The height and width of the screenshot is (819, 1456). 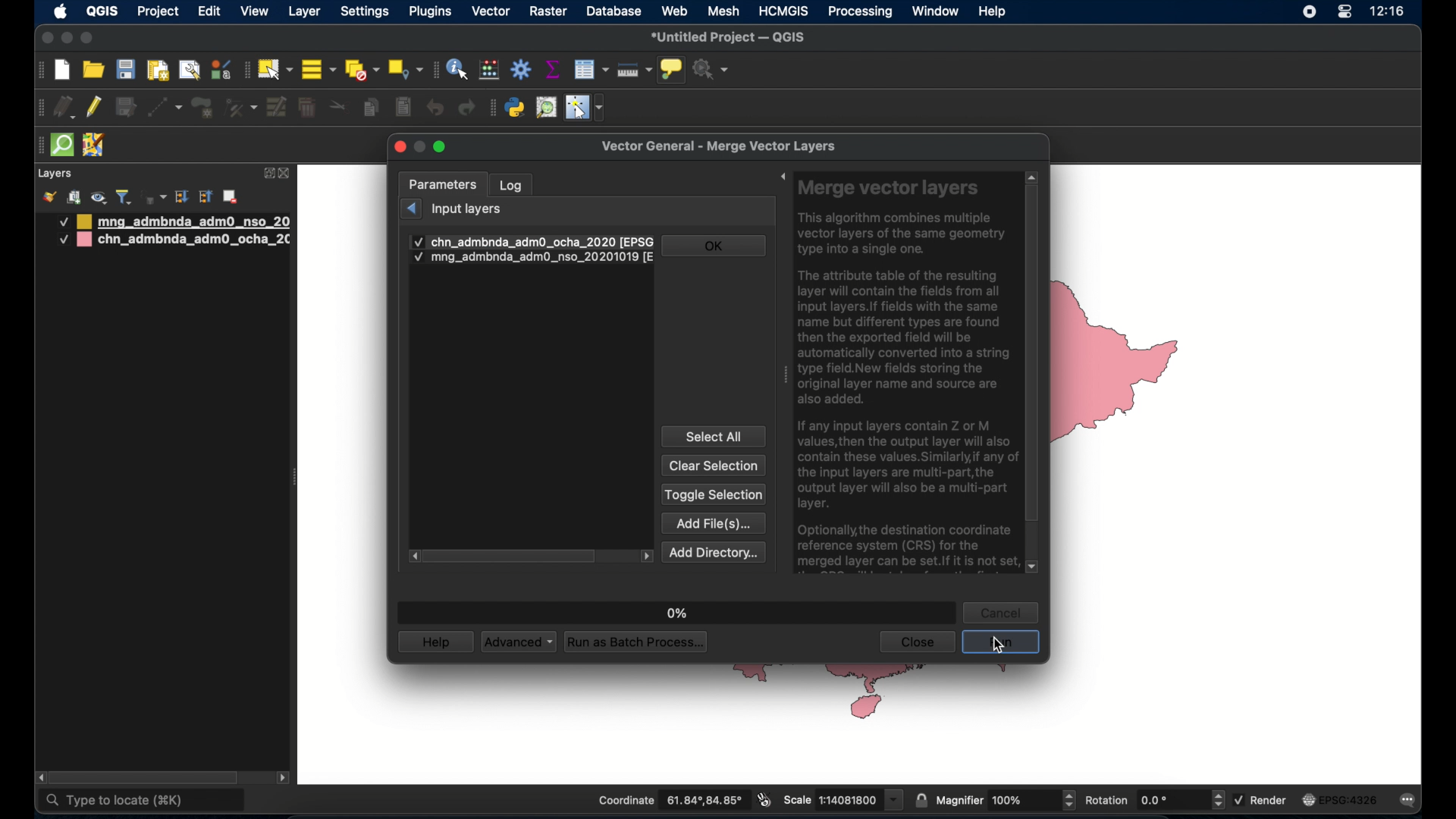 What do you see at coordinates (152, 196) in the screenshot?
I see `filter legend by expression` at bounding box center [152, 196].